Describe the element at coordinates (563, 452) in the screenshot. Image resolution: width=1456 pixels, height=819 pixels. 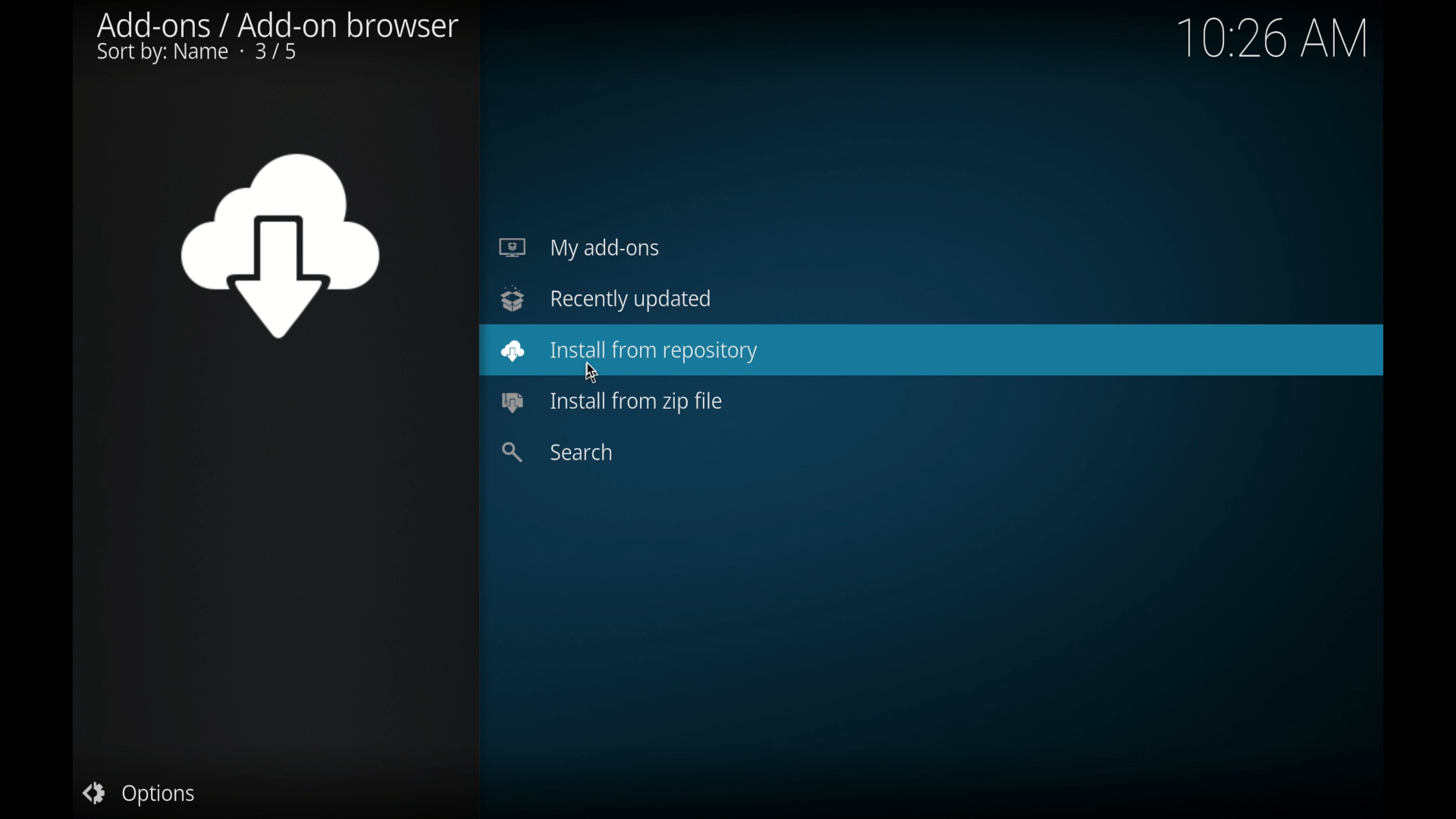
I see `search` at that location.